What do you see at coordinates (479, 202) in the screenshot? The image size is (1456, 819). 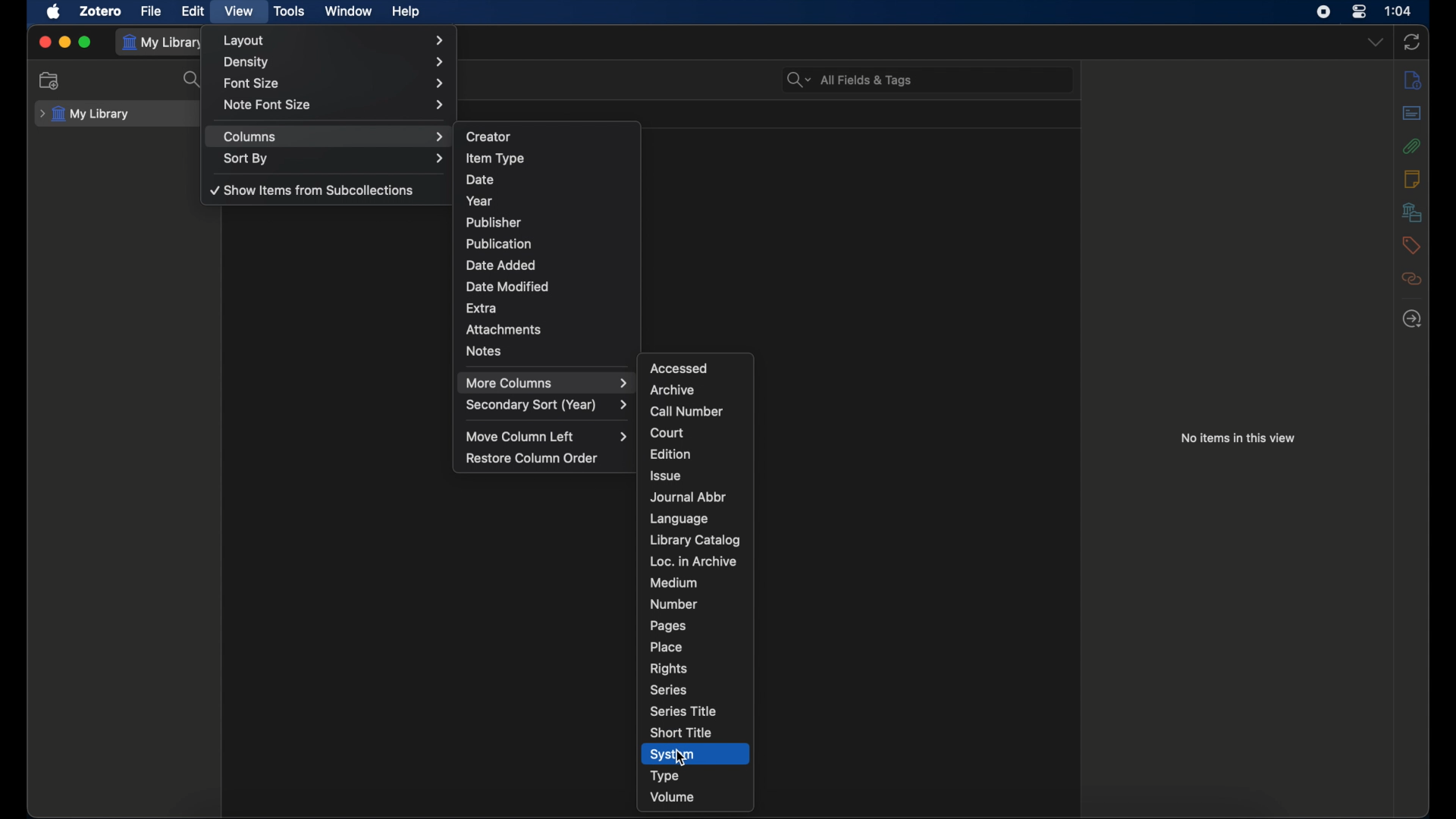 I see `year` at bounding box center [479, 202].